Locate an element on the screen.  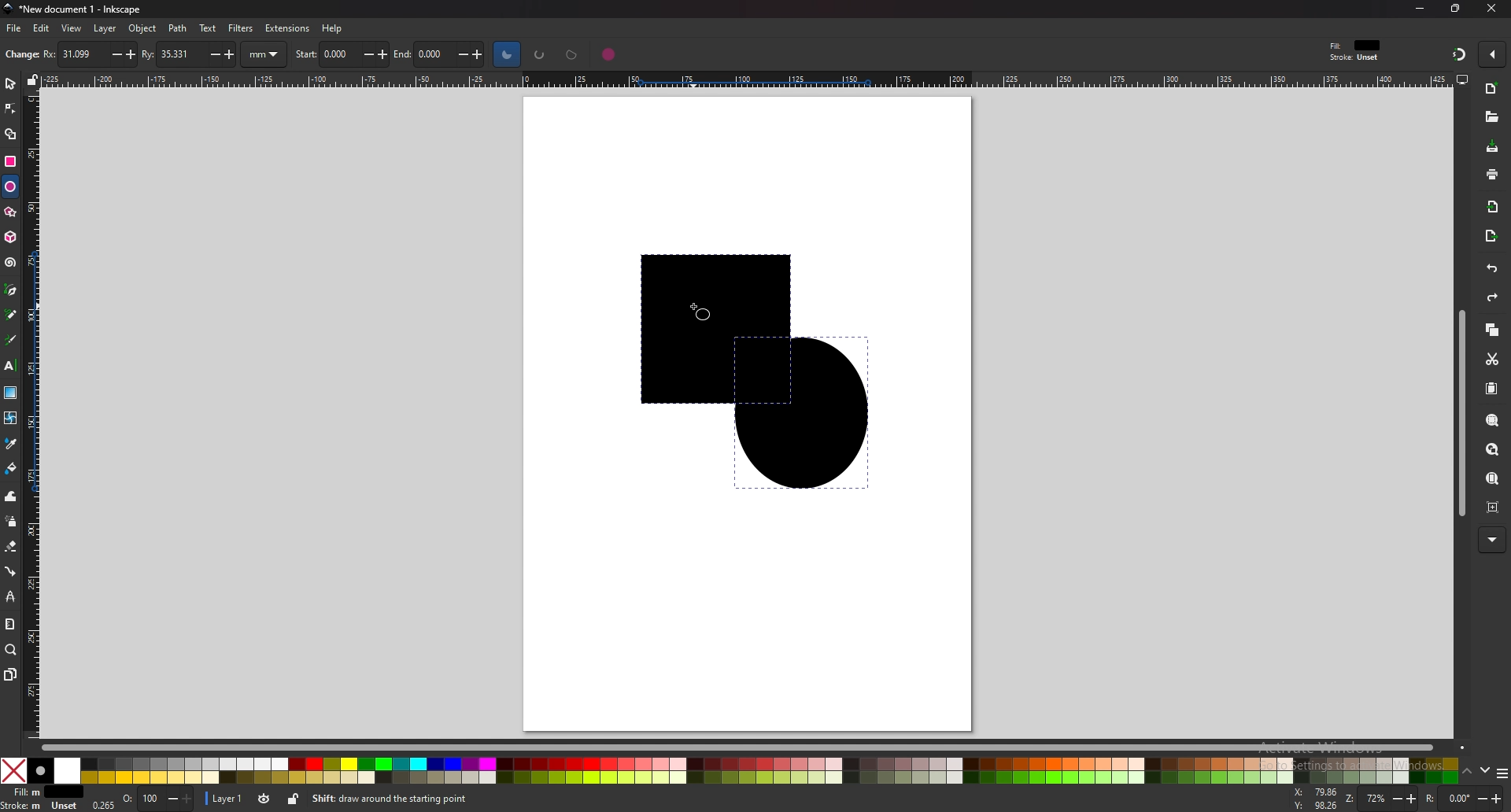
copy is located at coordinates (1494, 332).